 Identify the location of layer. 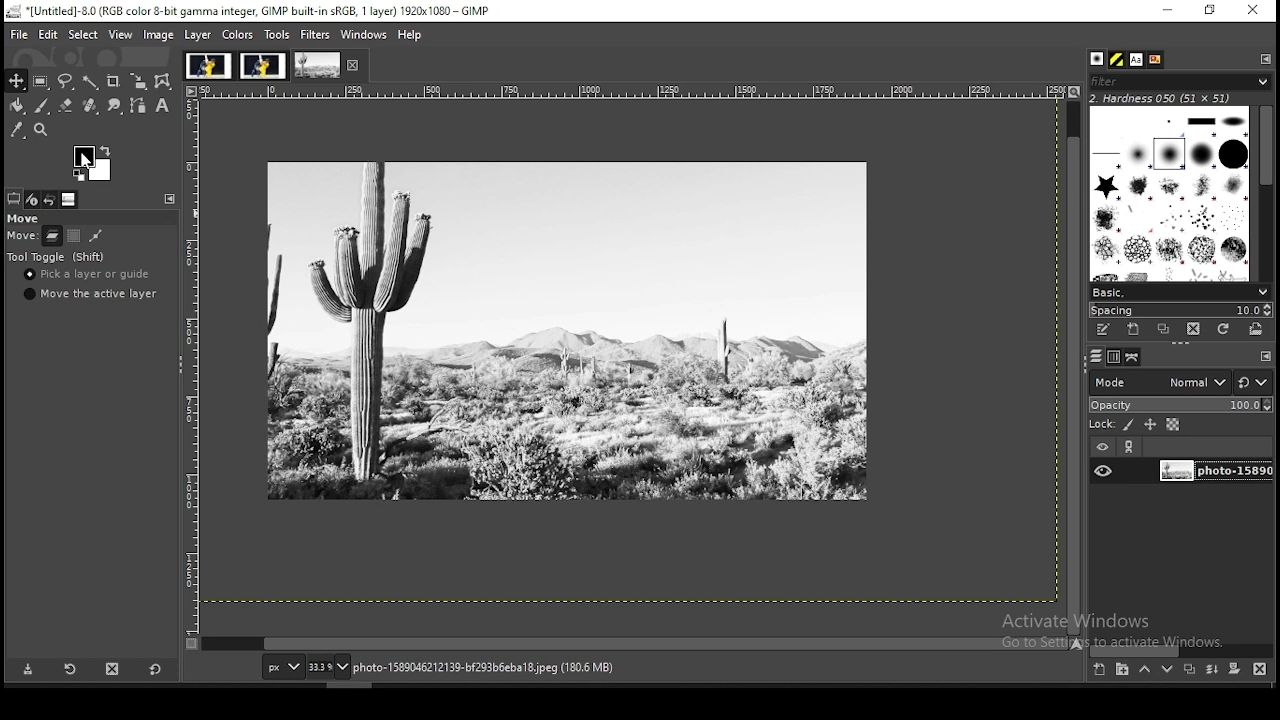
(1213, 472).